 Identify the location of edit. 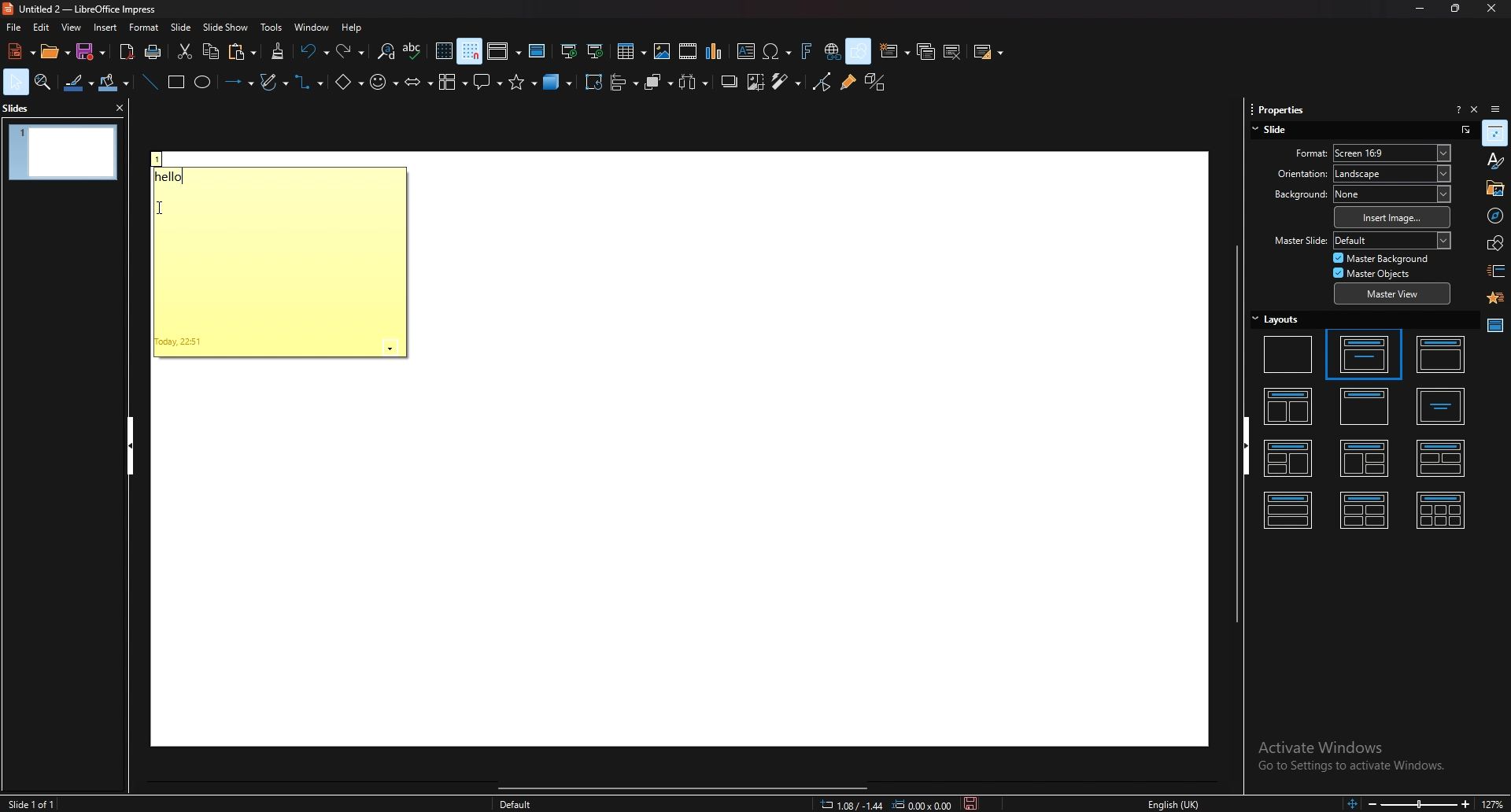
(41, 27).